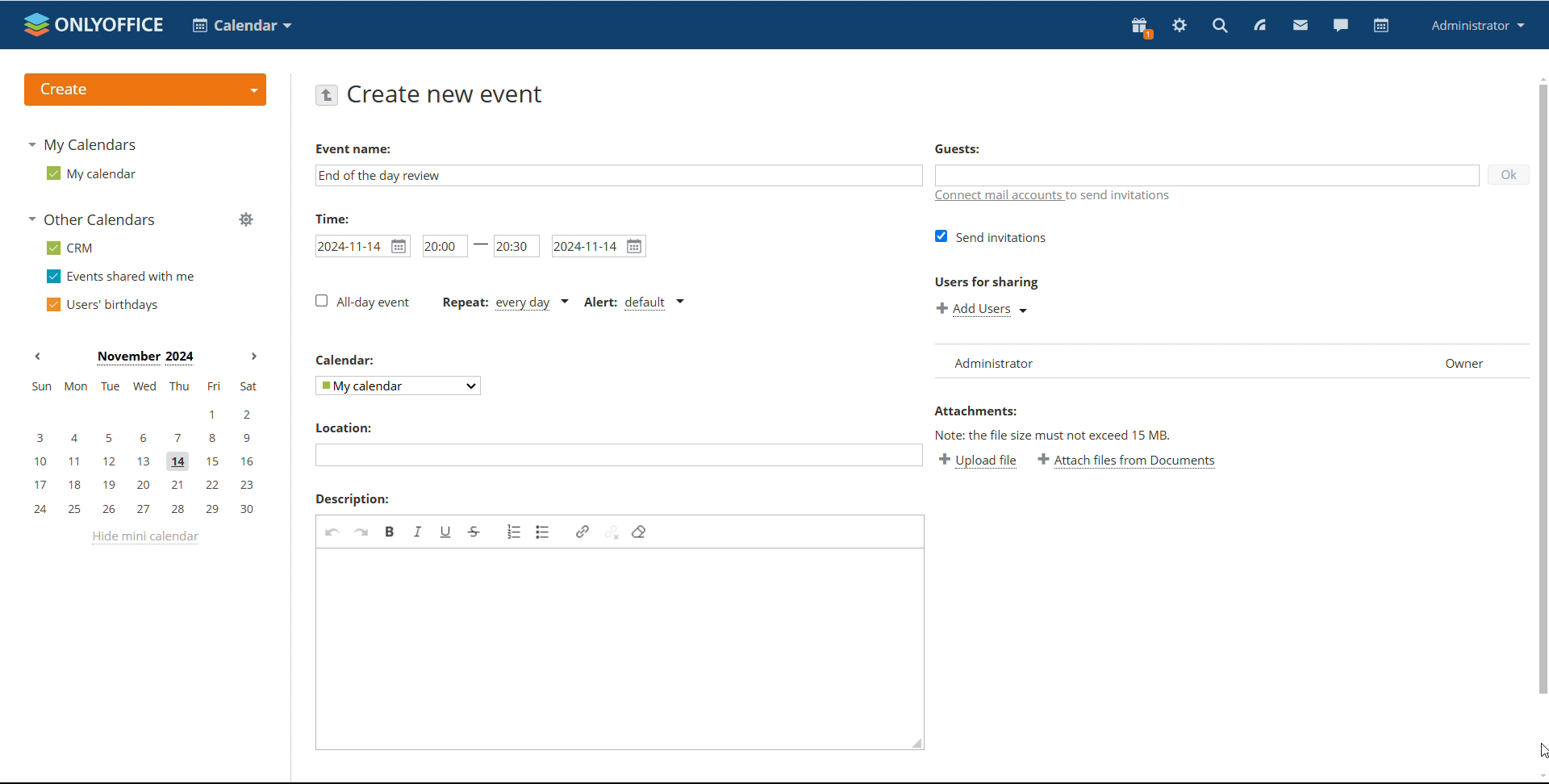 This screenshot has width=1549, height=784. Describe the element at coordinates (381, 175) in the screenshot. I see `event name added` at that location.